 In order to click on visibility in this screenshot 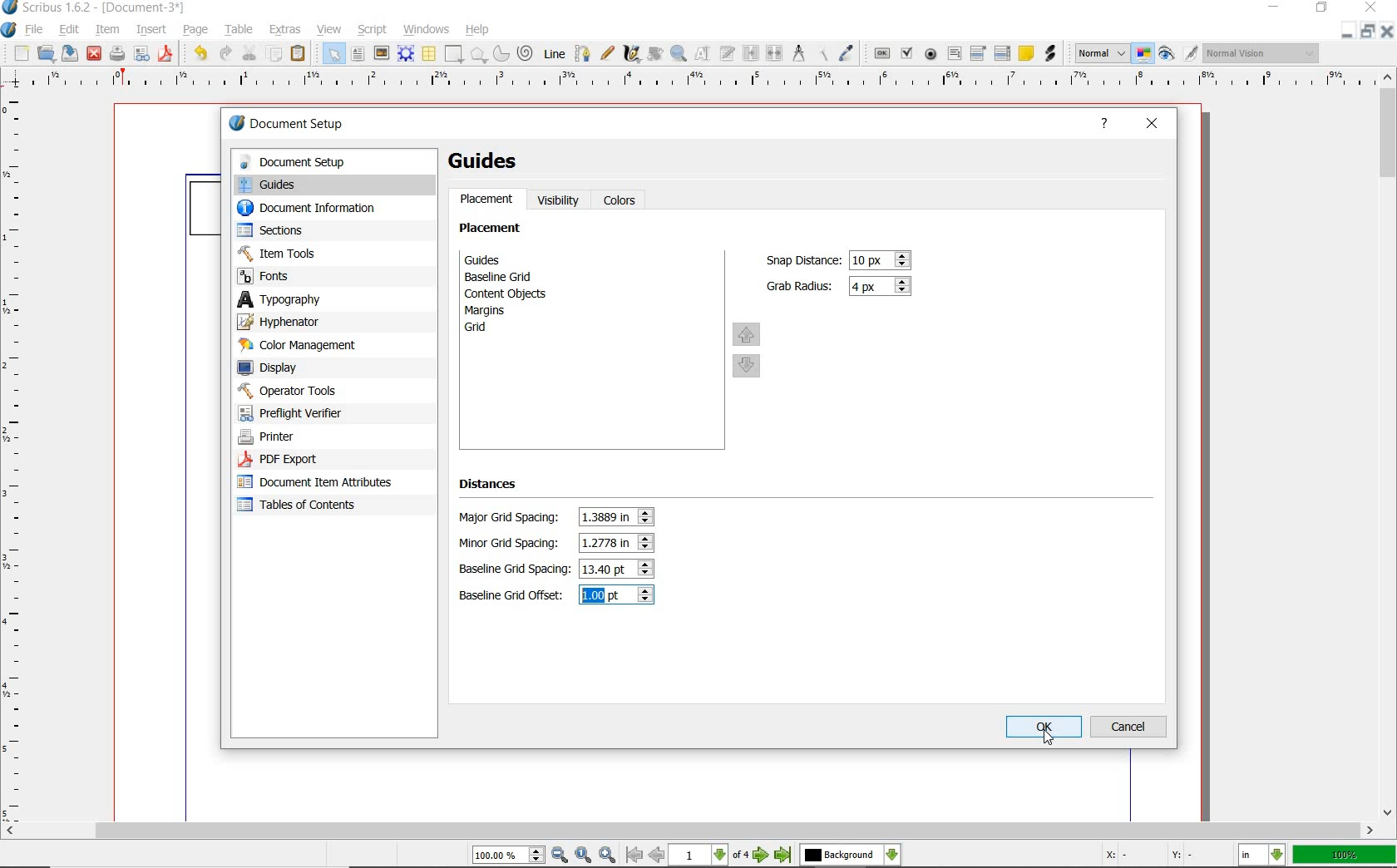, I will do `click(559, 200)`.